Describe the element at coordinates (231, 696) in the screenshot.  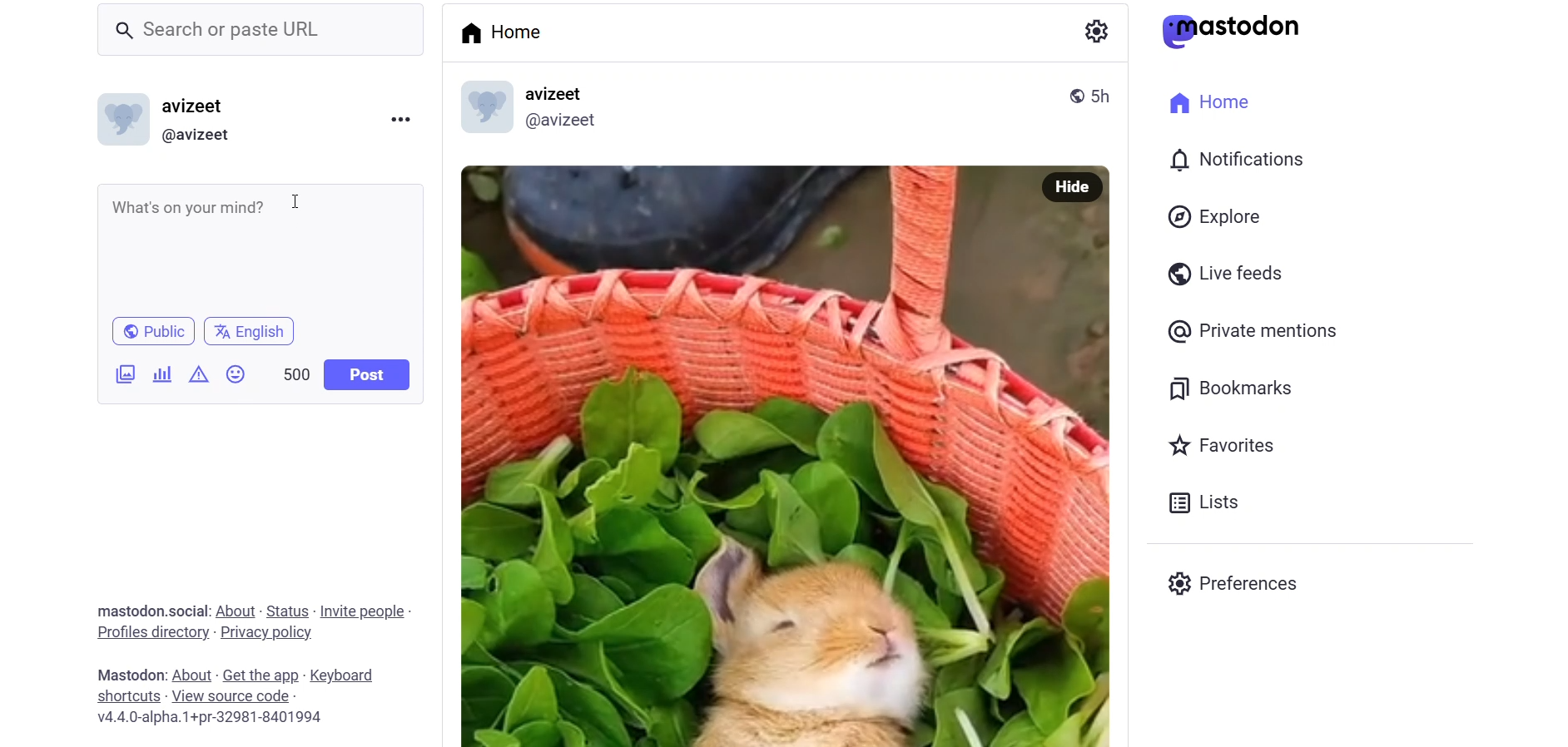
I see `source code` at that location.